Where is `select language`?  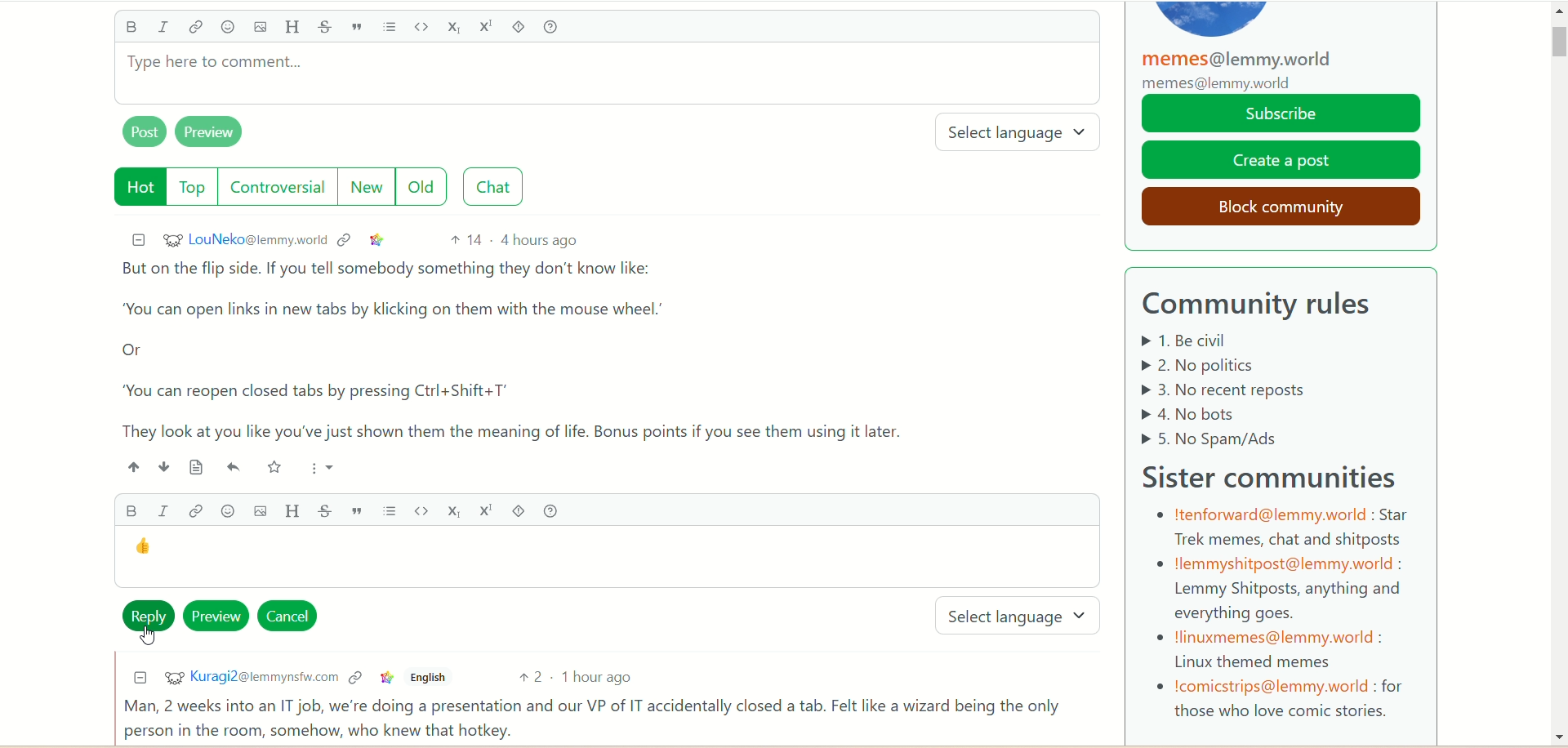
select language is located at coordinates (1025, 134).